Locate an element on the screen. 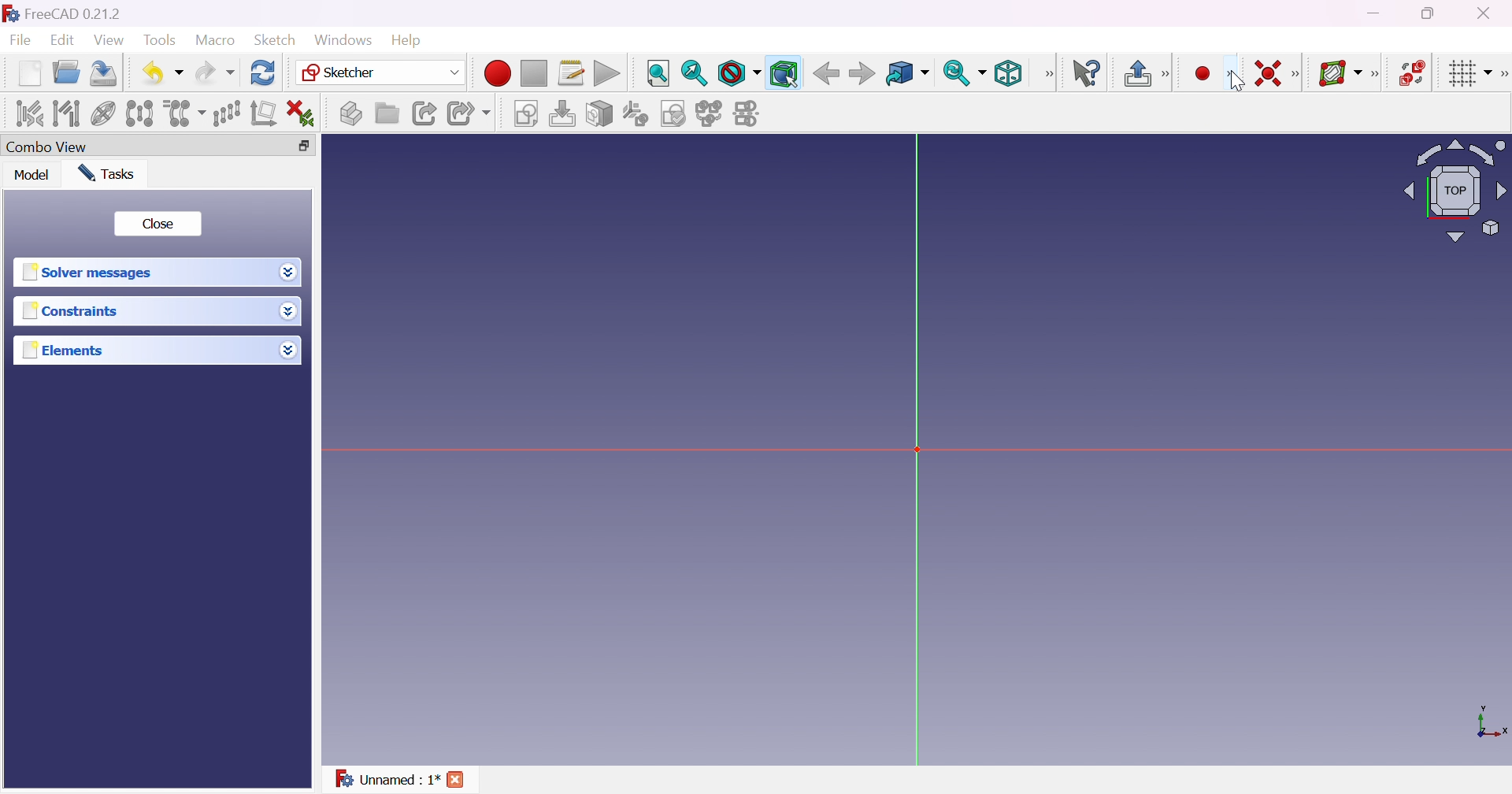 The width and height of the screenshot is (1512, 794). Sketch is located at coordinates (276, 40).